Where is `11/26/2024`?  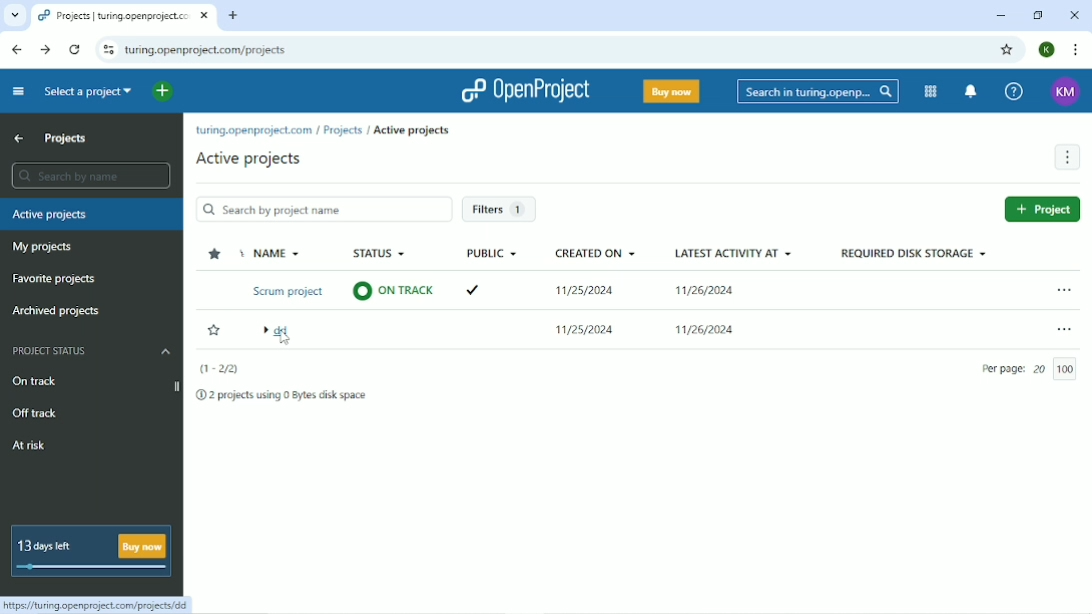 11/26/2024 is located at coordinates (706, 293).